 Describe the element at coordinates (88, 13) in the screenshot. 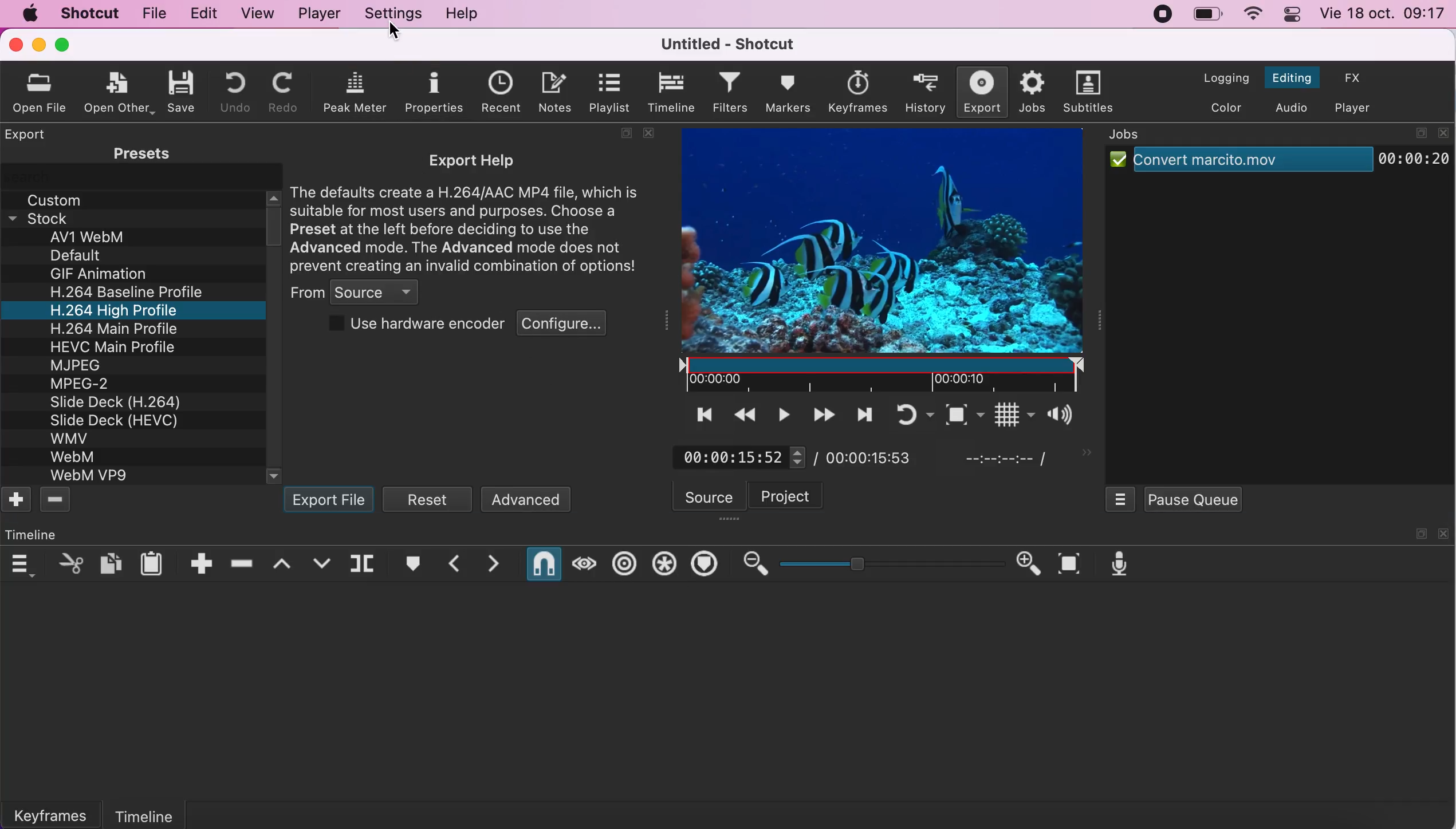

I see `shotcut` at that location.